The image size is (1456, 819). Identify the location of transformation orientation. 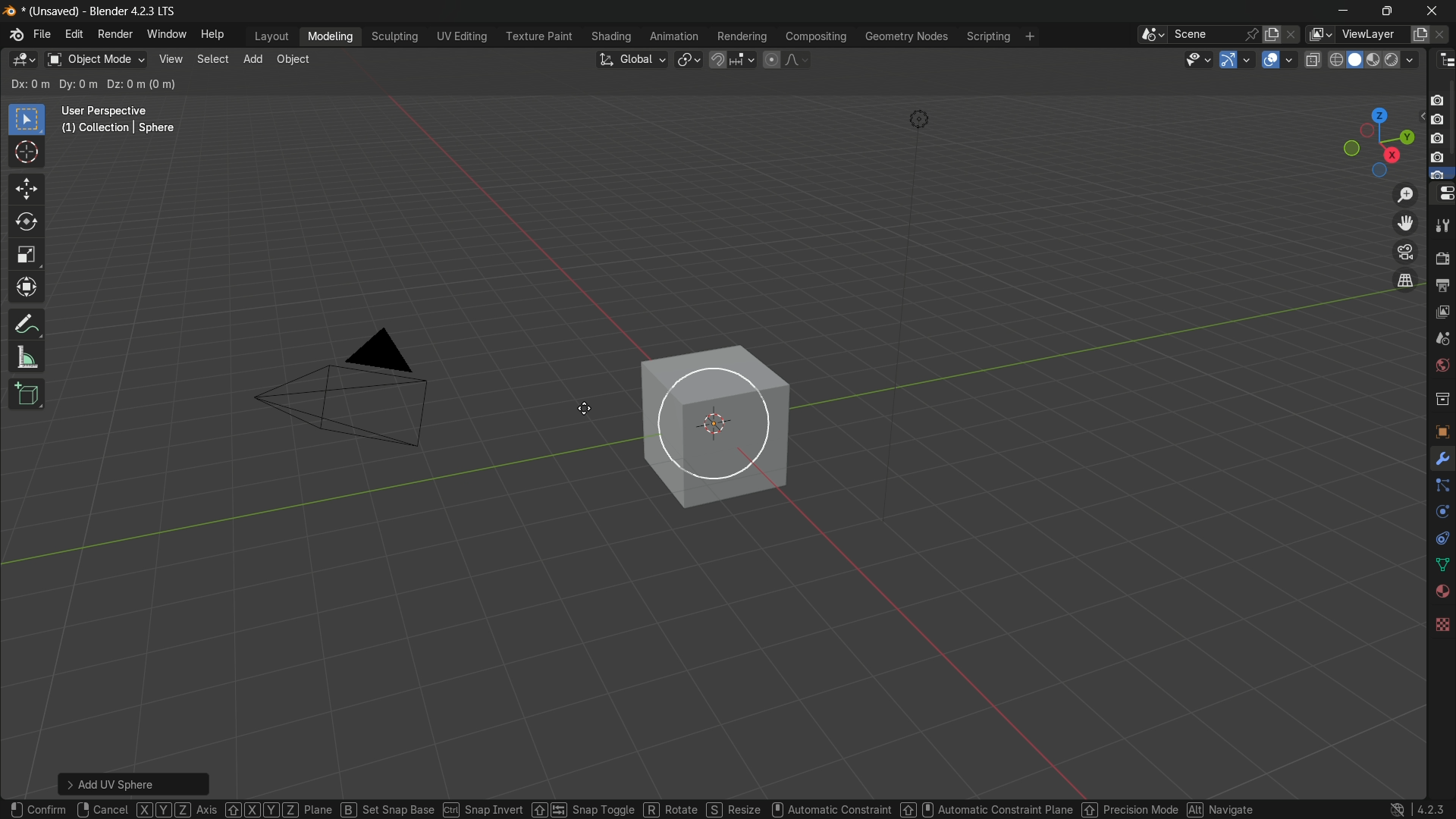
(632, 59).